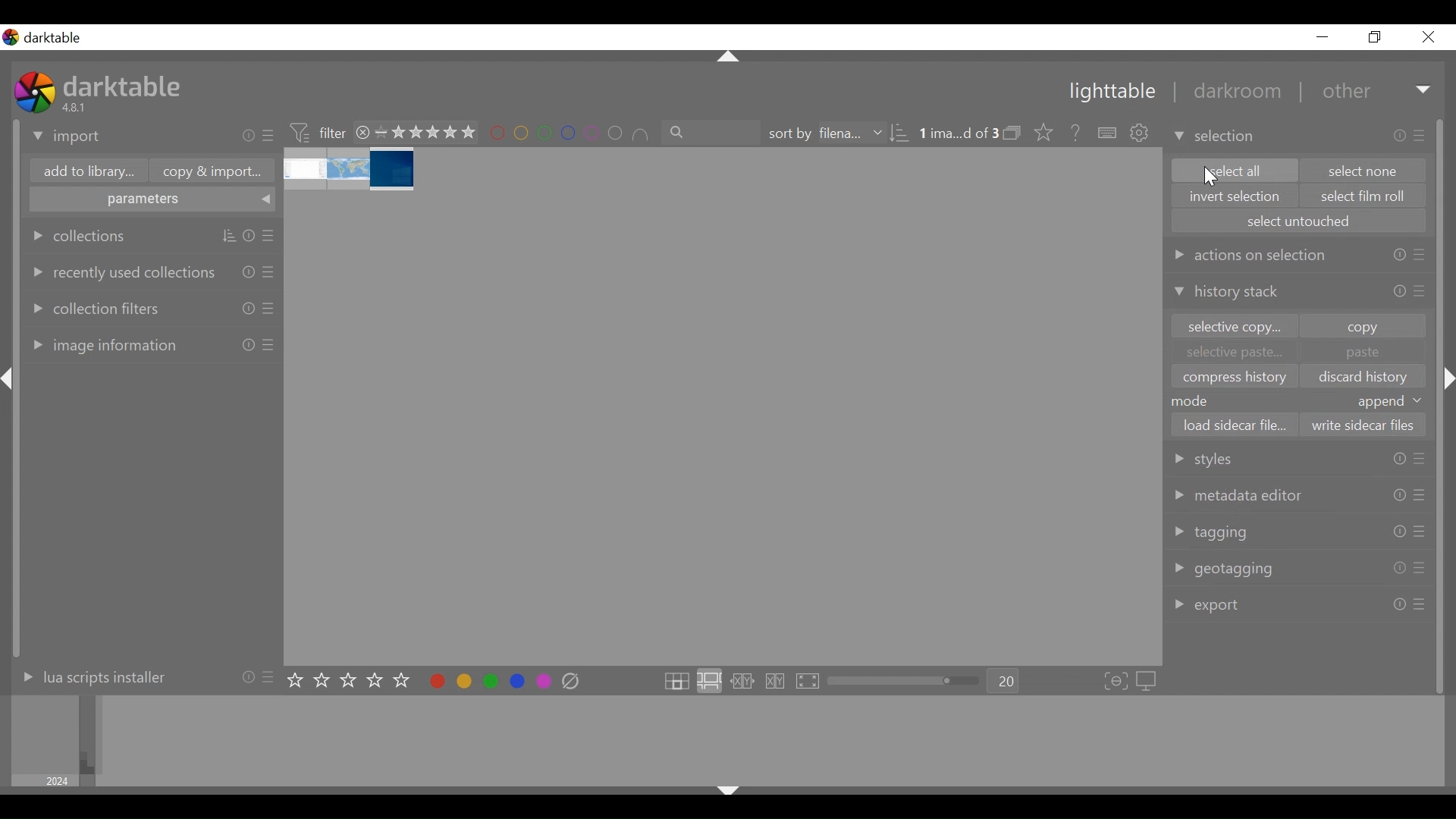  Describe the element at coordinates (1111, 93) in the screenshot. I see `lighttable` at that location.